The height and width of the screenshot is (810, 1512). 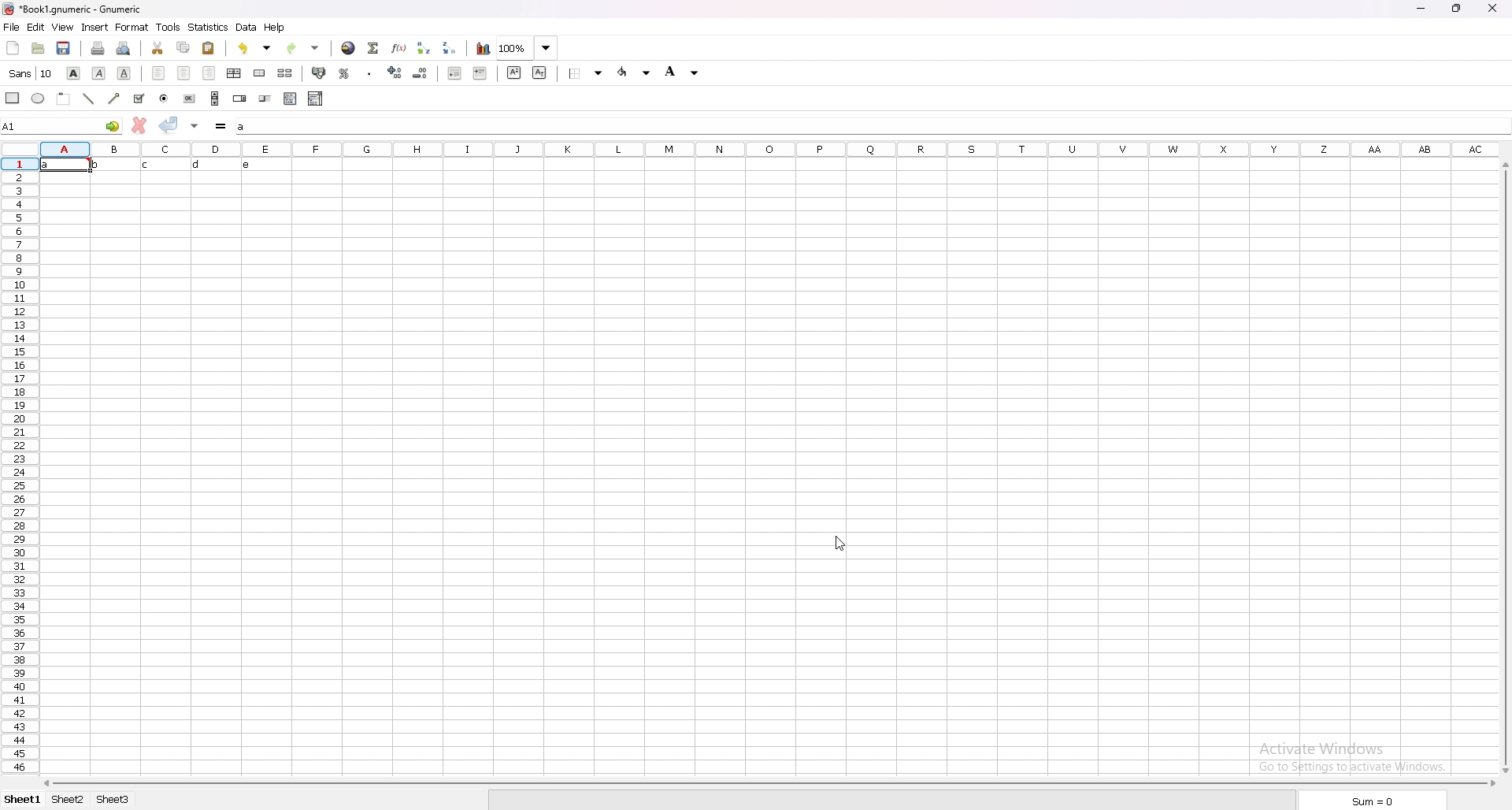 What do you see at coordinates (265, 99) in the screenshot?
I see `slider` at bounding box center [265, 99].